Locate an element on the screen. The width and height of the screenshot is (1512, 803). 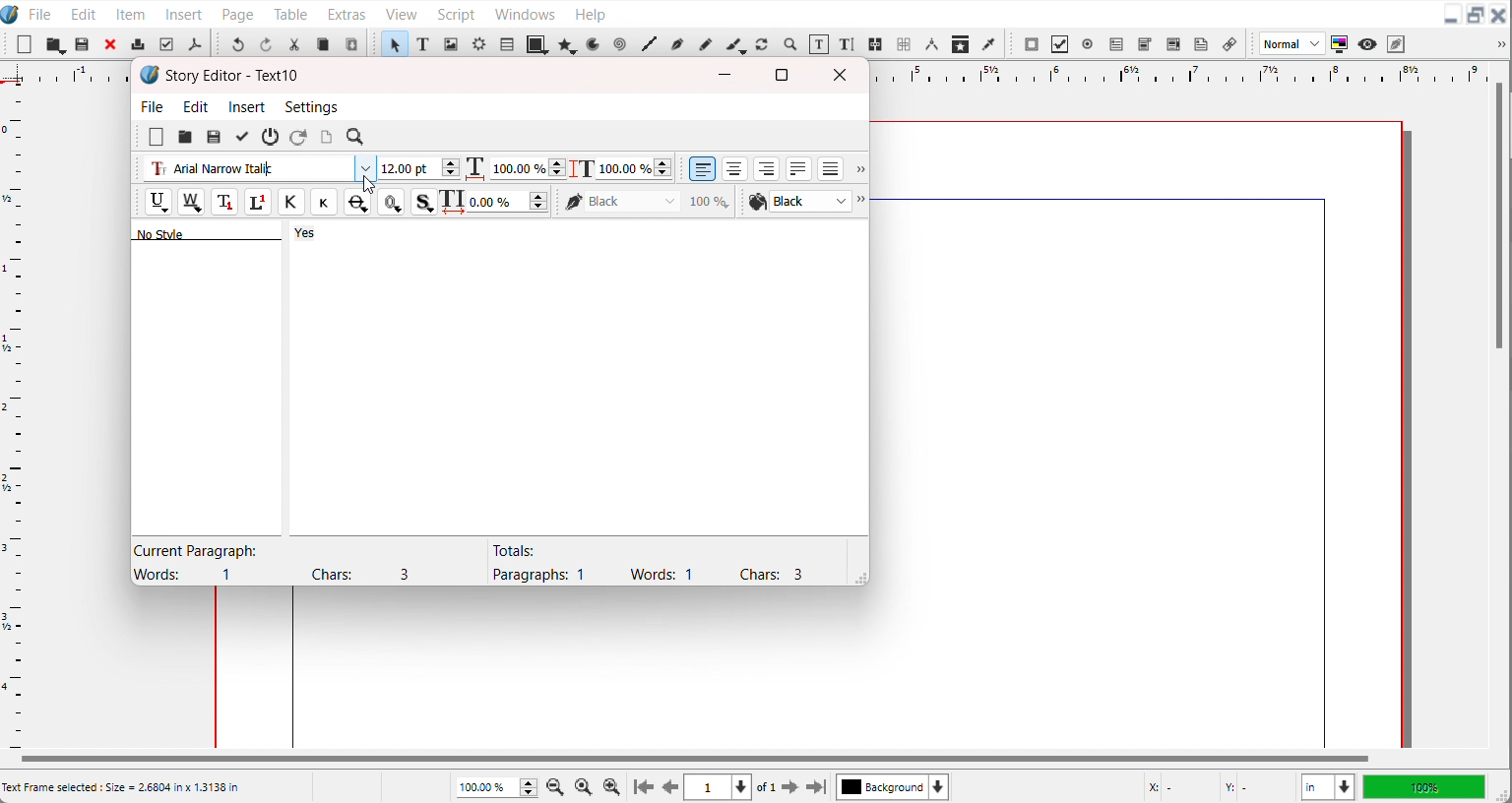
Table is located at coordinates (506, 43).